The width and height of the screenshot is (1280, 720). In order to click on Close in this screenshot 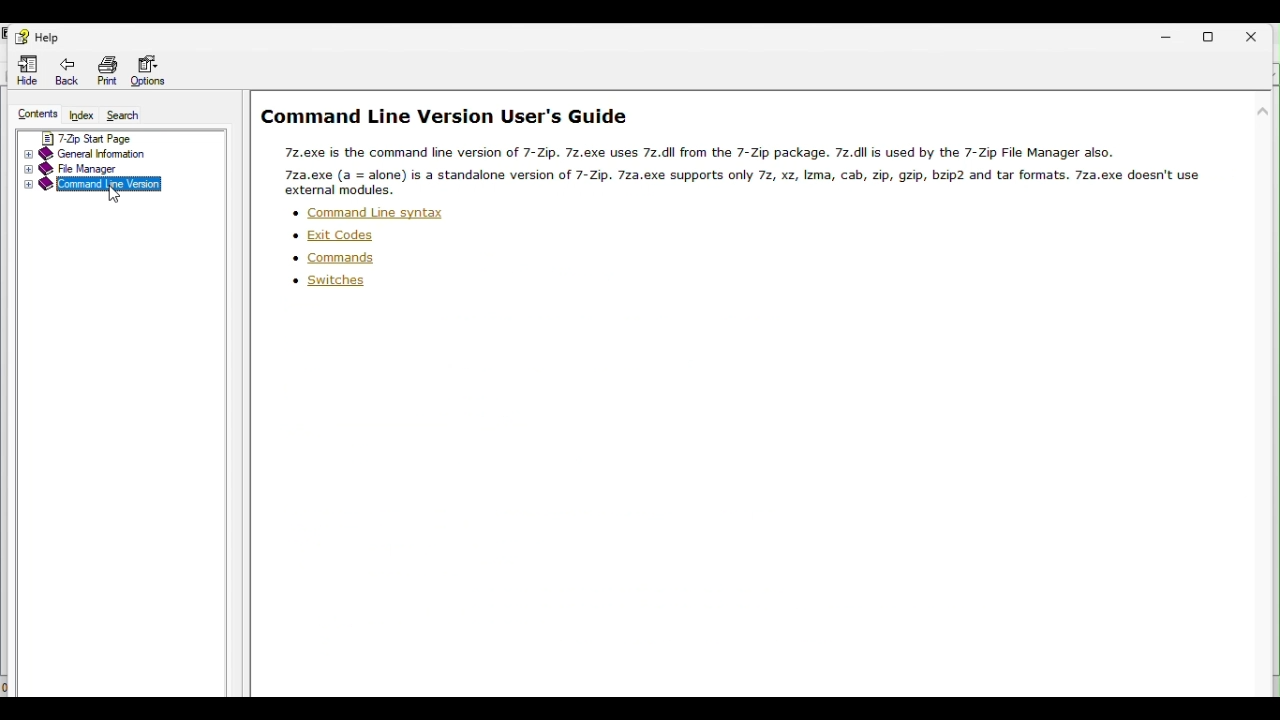, I will do `click(1263, 31)`.